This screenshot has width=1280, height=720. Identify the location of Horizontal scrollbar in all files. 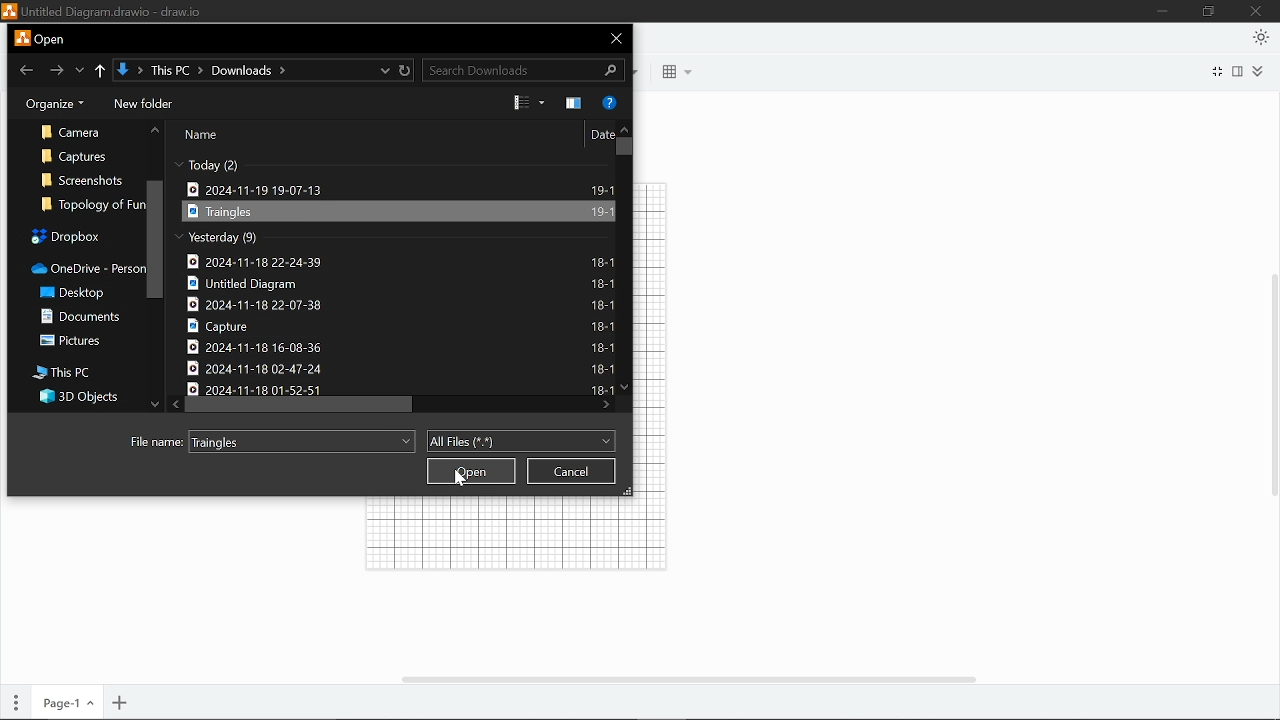
(300, 404).